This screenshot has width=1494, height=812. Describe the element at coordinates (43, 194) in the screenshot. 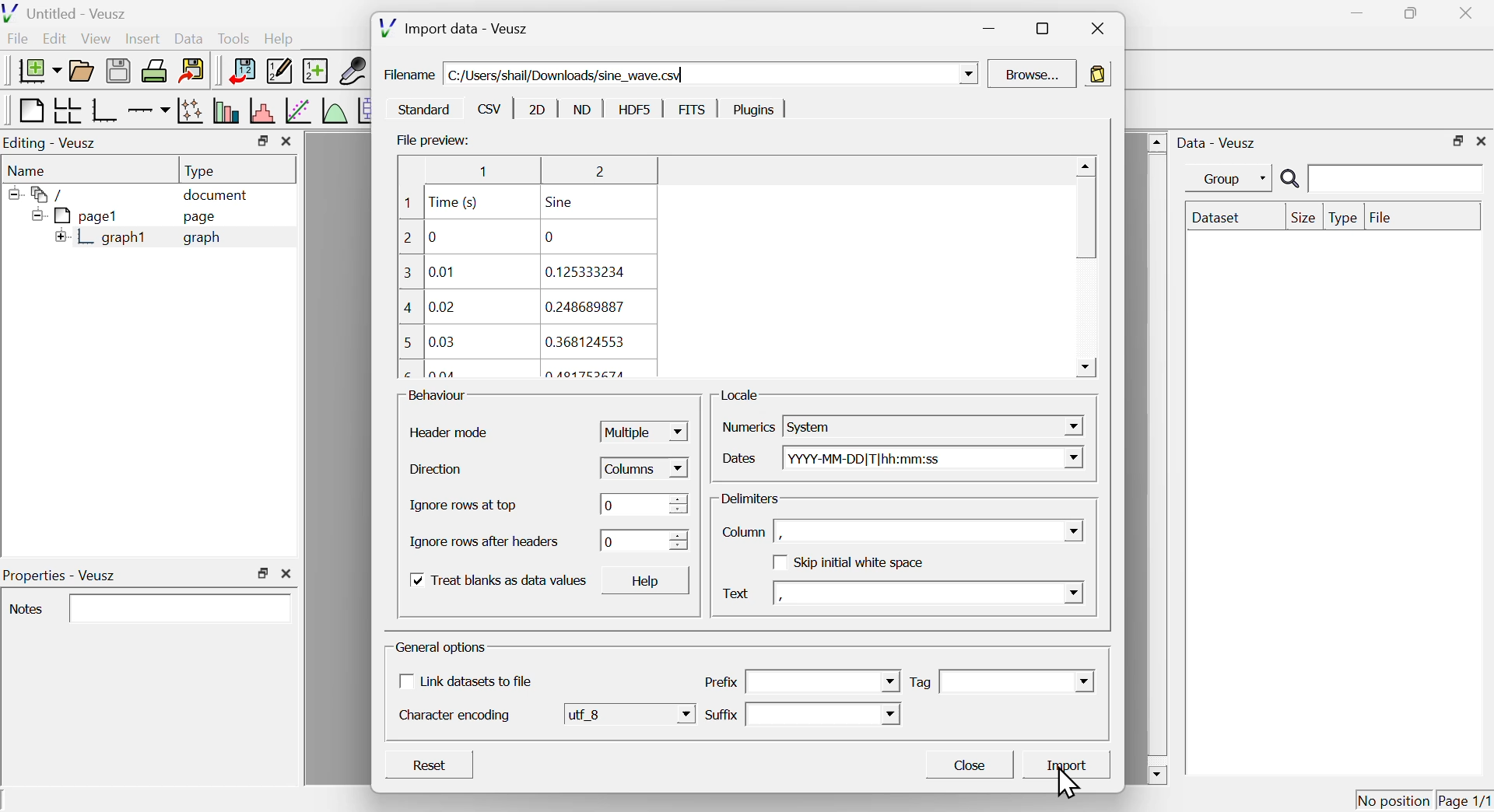

I see `folder` at that location.